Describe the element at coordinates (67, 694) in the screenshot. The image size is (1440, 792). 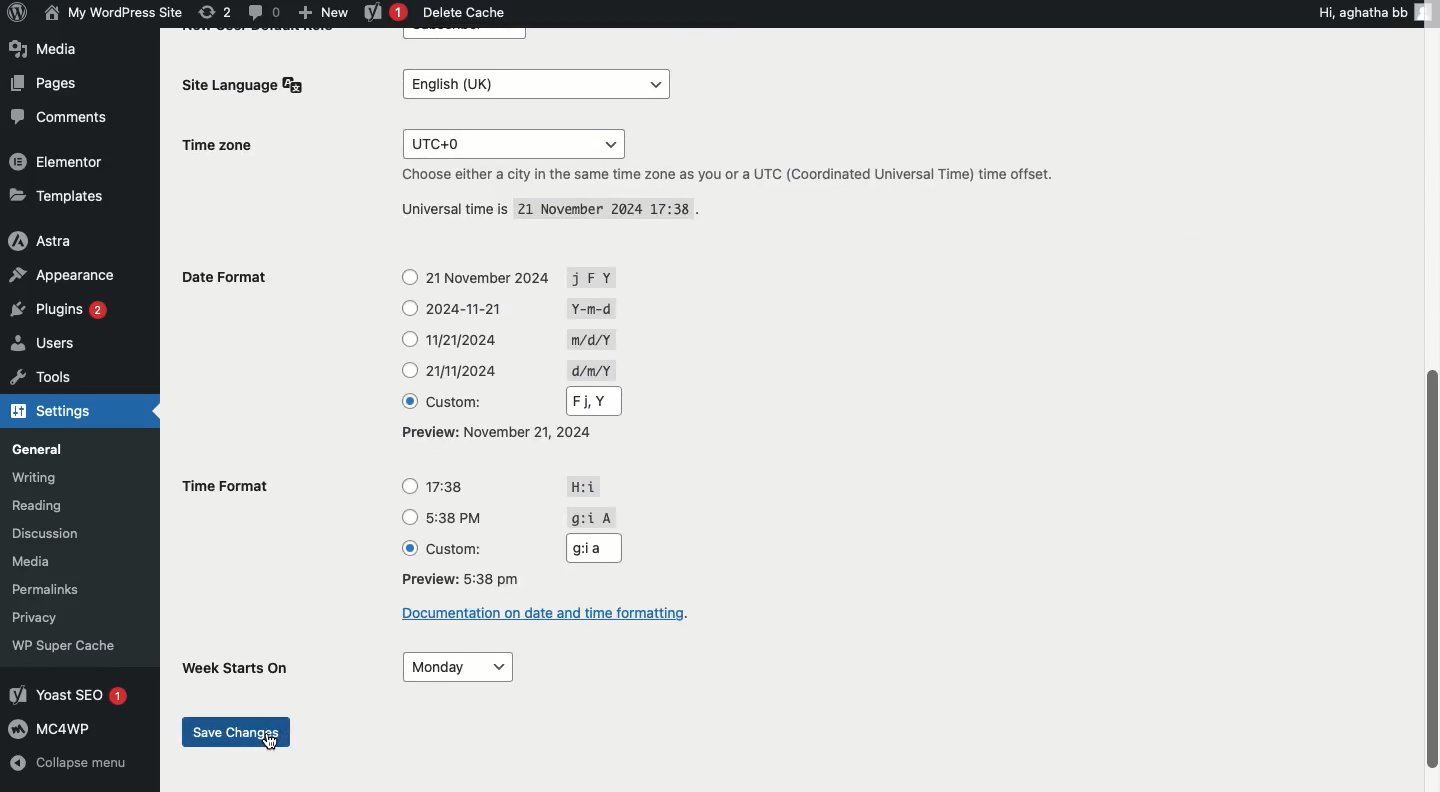
I see ` Yoast SEO 1` at that location.